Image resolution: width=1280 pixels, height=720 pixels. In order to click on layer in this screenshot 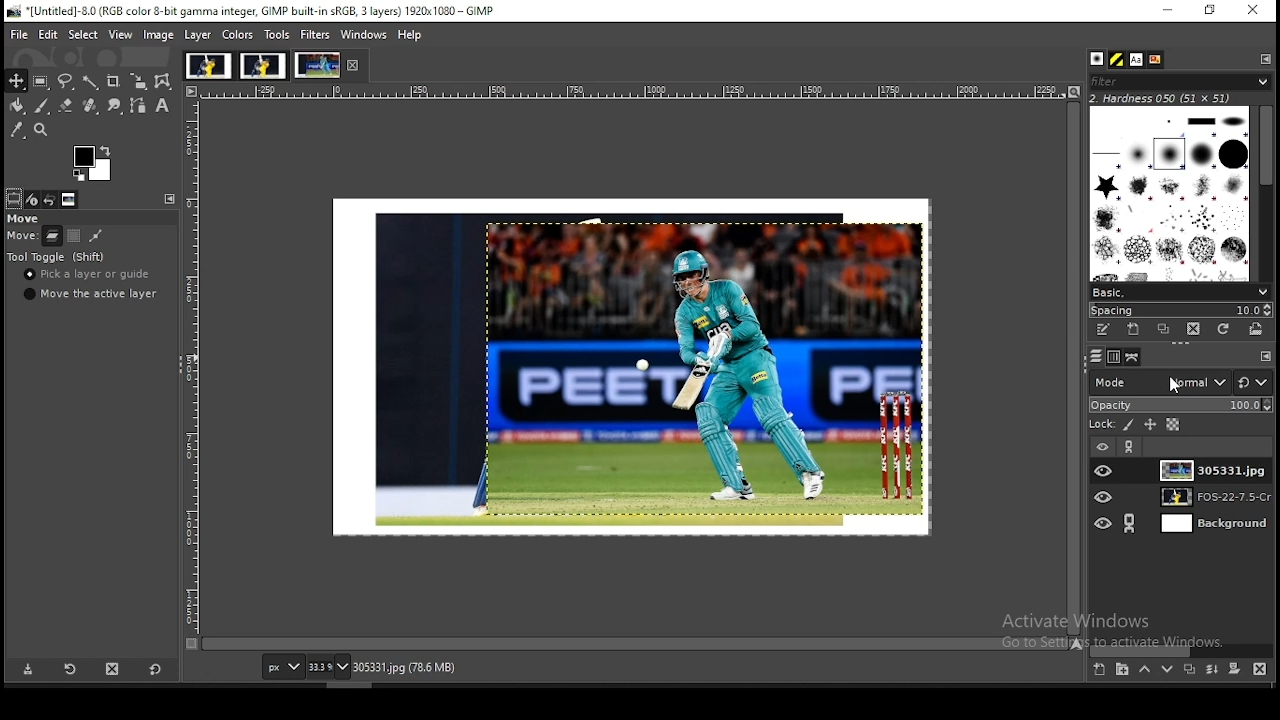, I will do `click(1214, 468)`.